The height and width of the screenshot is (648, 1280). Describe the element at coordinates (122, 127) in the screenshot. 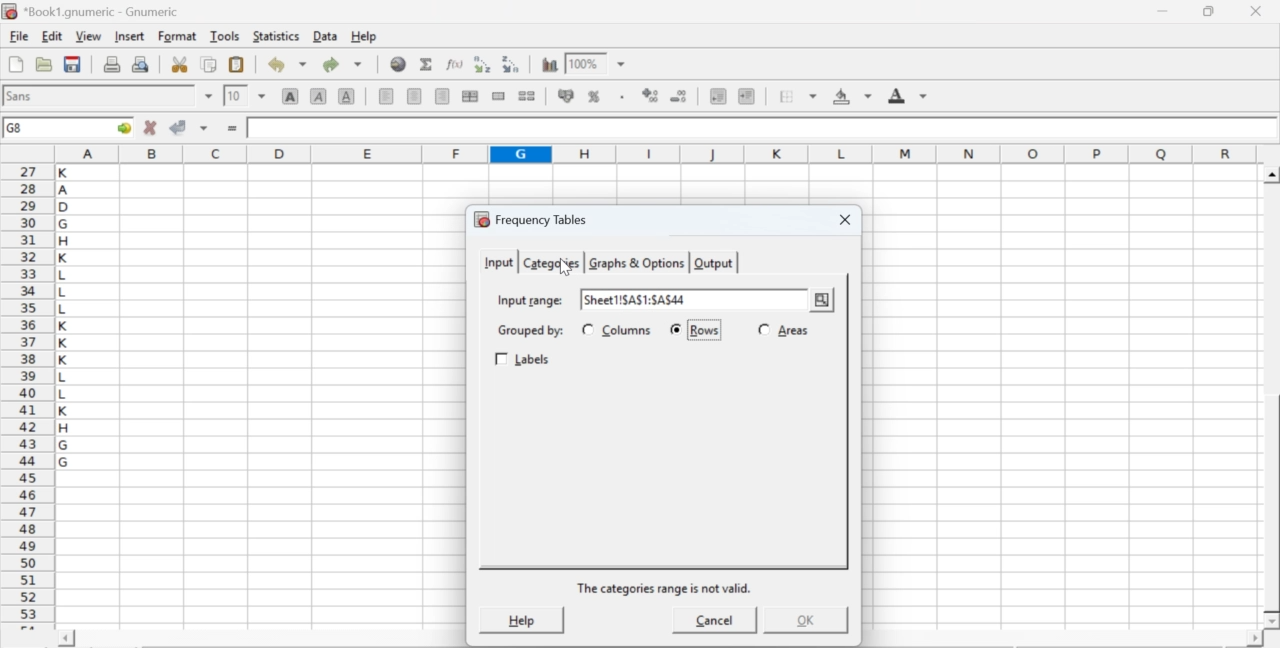

I see `go to` at that location.